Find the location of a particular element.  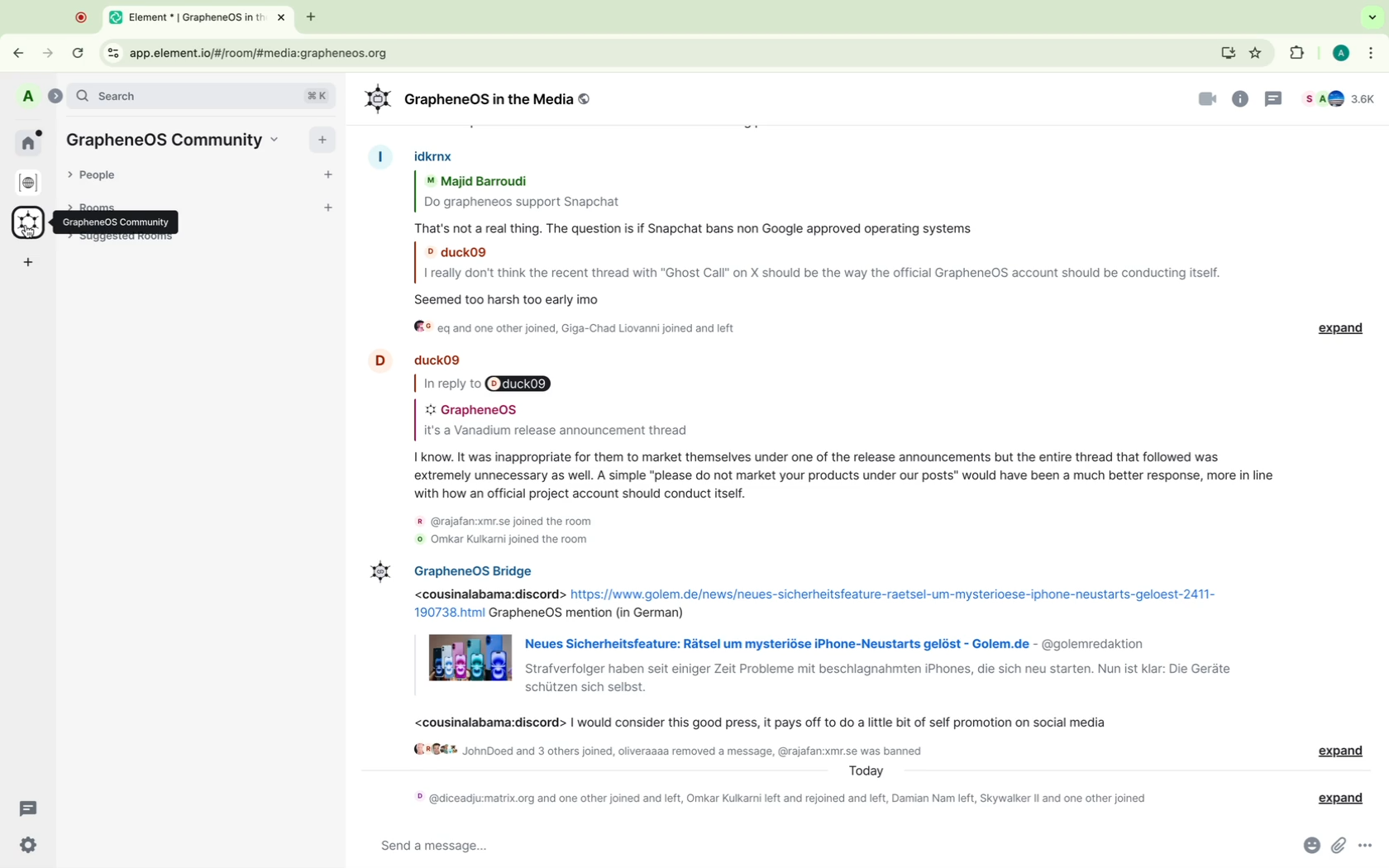

expand is located at coordinates (54, 94).